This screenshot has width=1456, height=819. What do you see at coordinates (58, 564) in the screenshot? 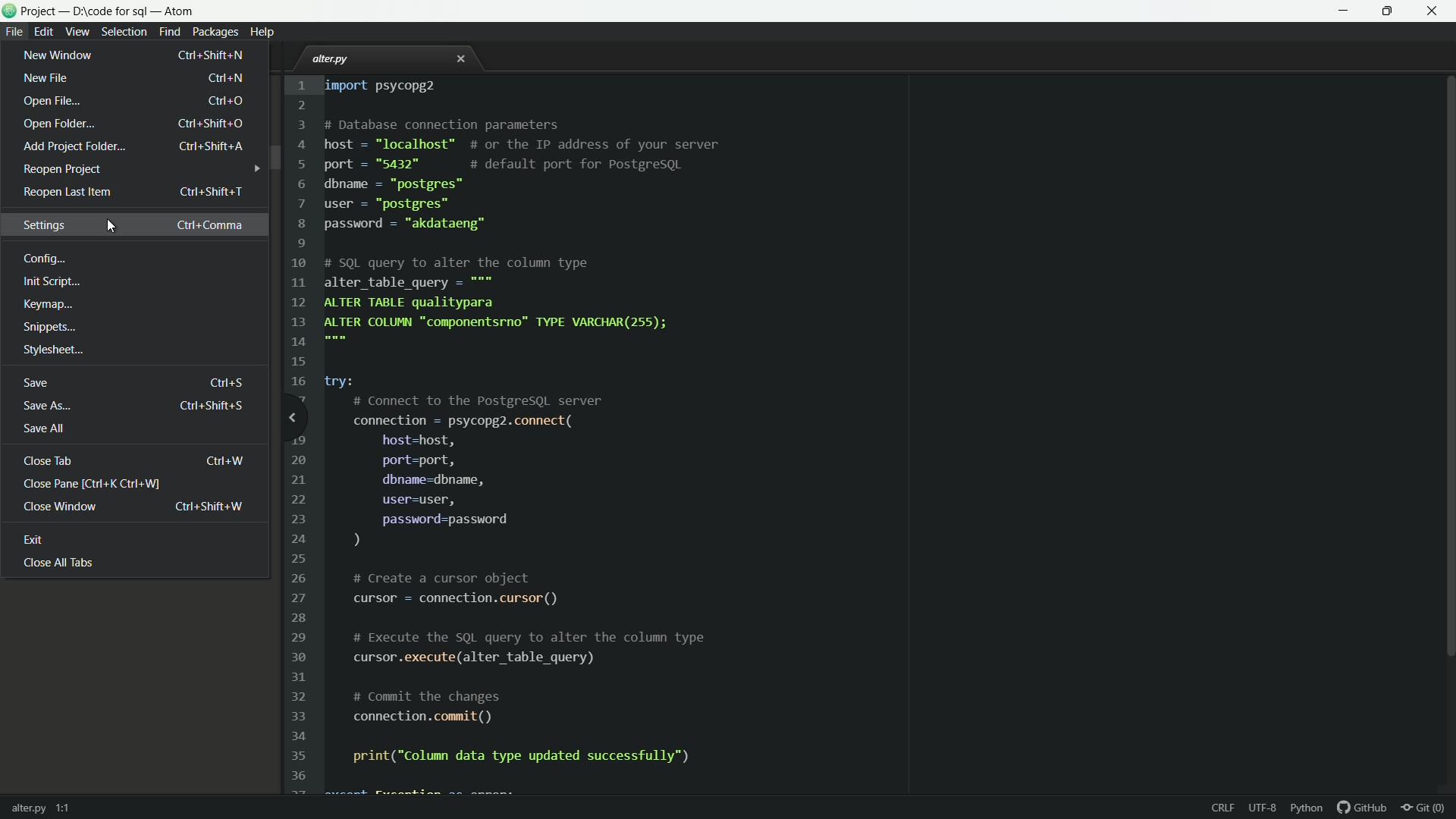
I see `close all tabs` at bounding box center [58, 564].